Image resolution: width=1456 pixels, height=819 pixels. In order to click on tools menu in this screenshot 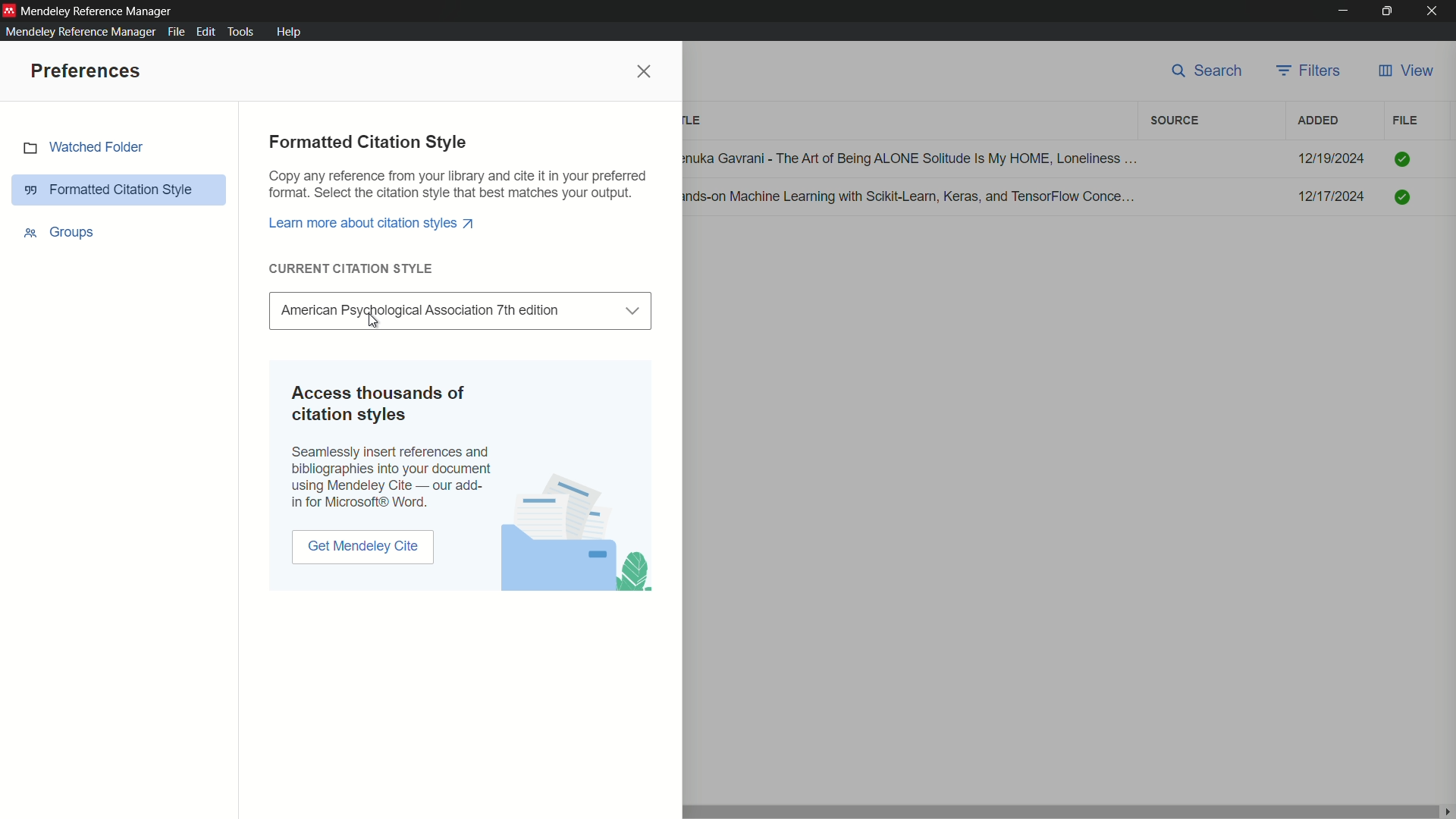, I will do `click(242, 32)`.